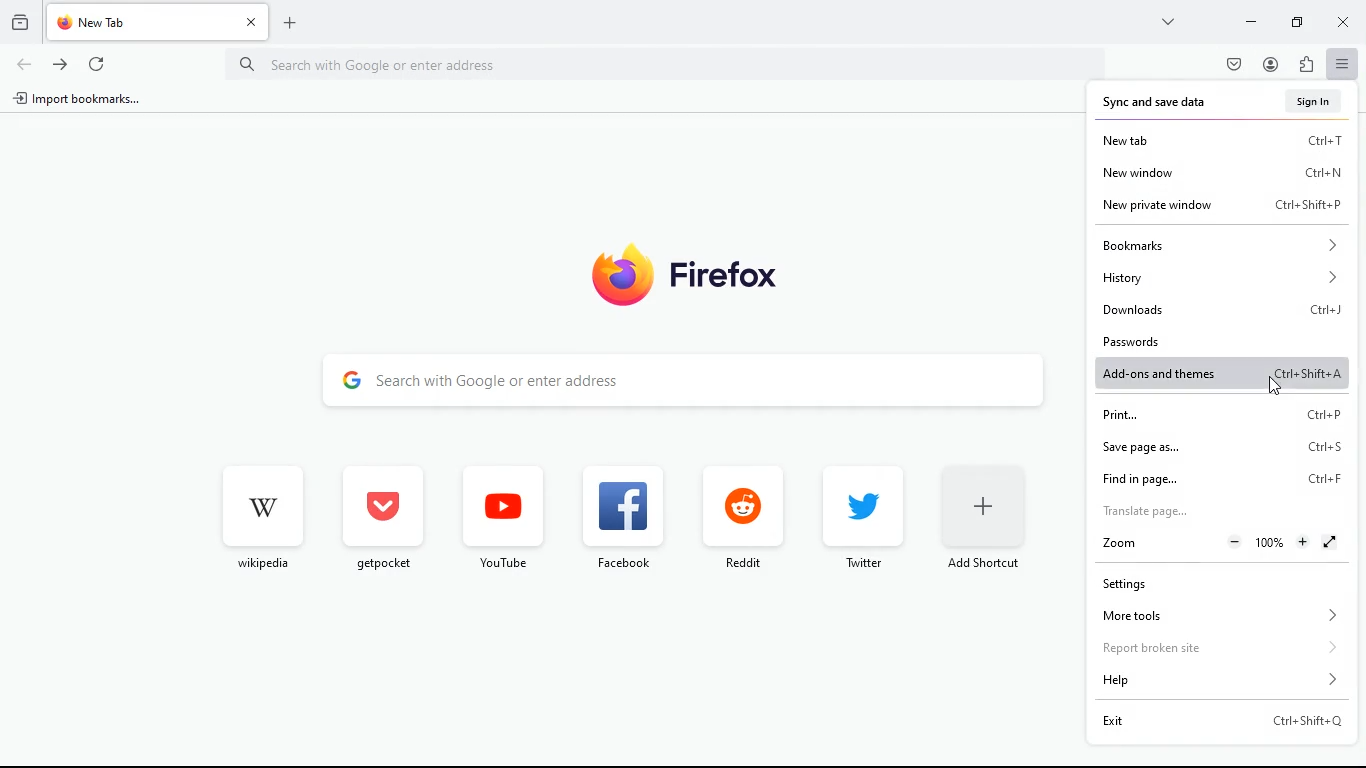  Describe the element at coordinates (1342, 65) in the screenshot. I see `menu` at that location.